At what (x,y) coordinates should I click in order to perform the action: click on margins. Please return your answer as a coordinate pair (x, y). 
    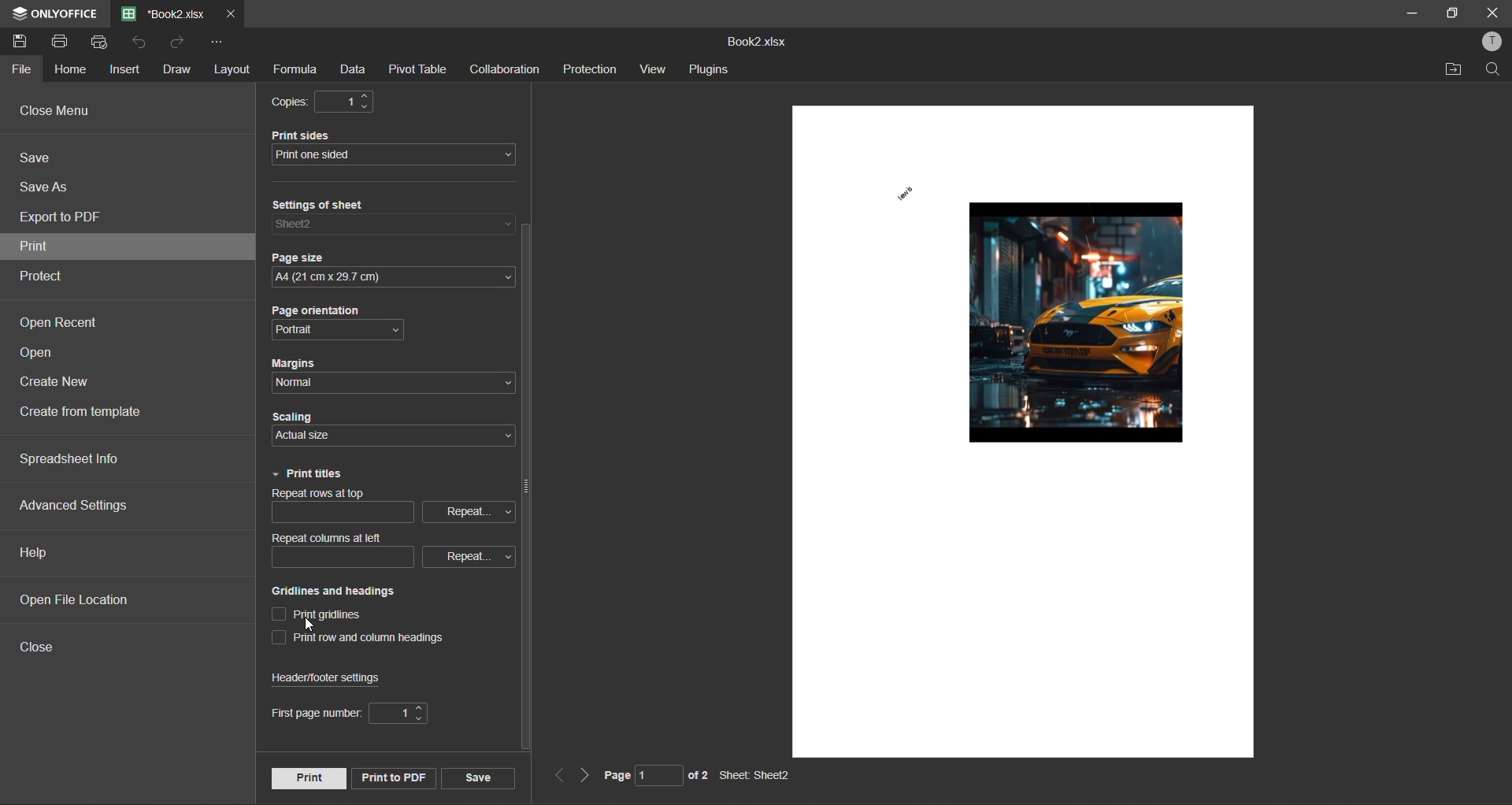
    Looking at the image, I should click on (296, 364).